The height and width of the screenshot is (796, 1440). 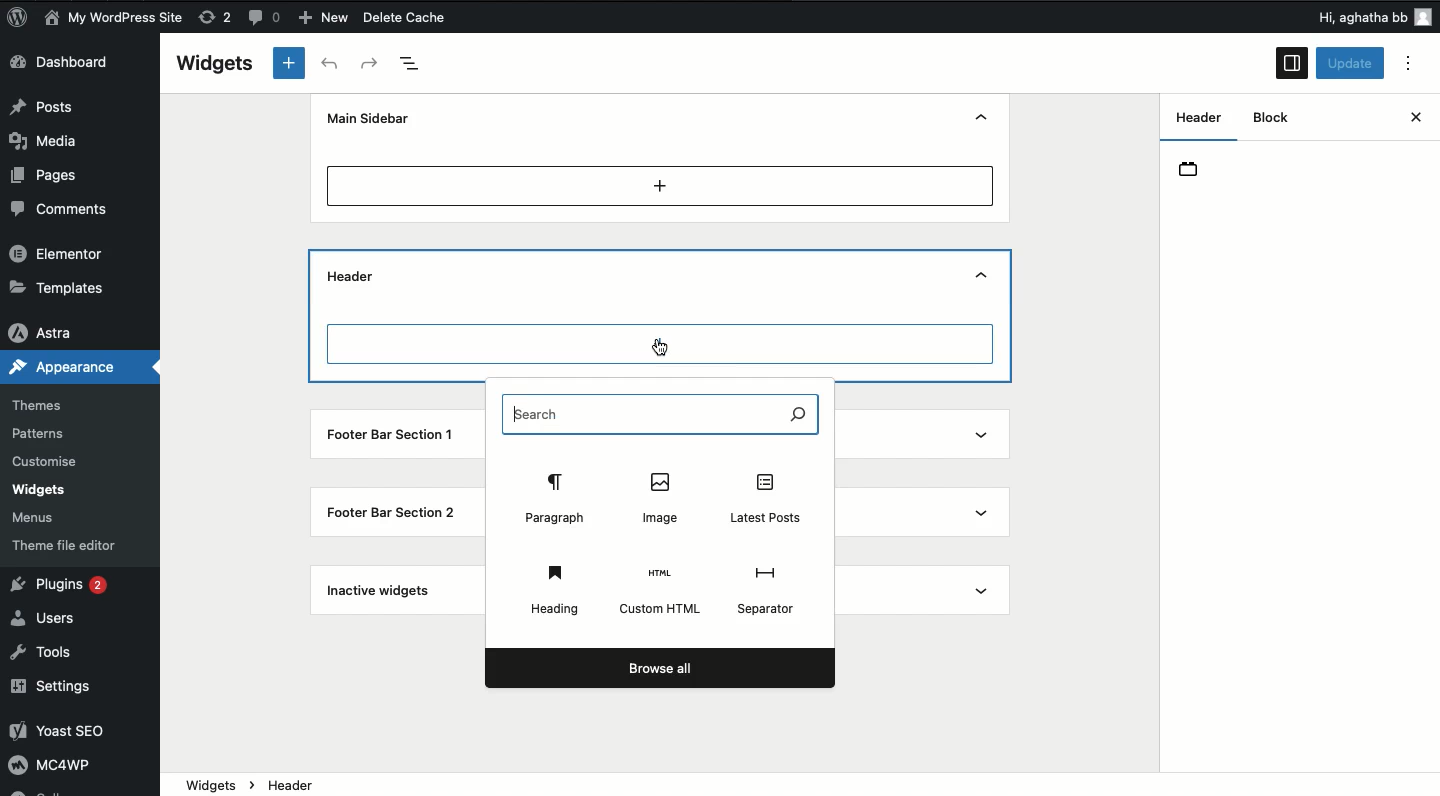 I want to click on Hide, so click(x=985, y=117).